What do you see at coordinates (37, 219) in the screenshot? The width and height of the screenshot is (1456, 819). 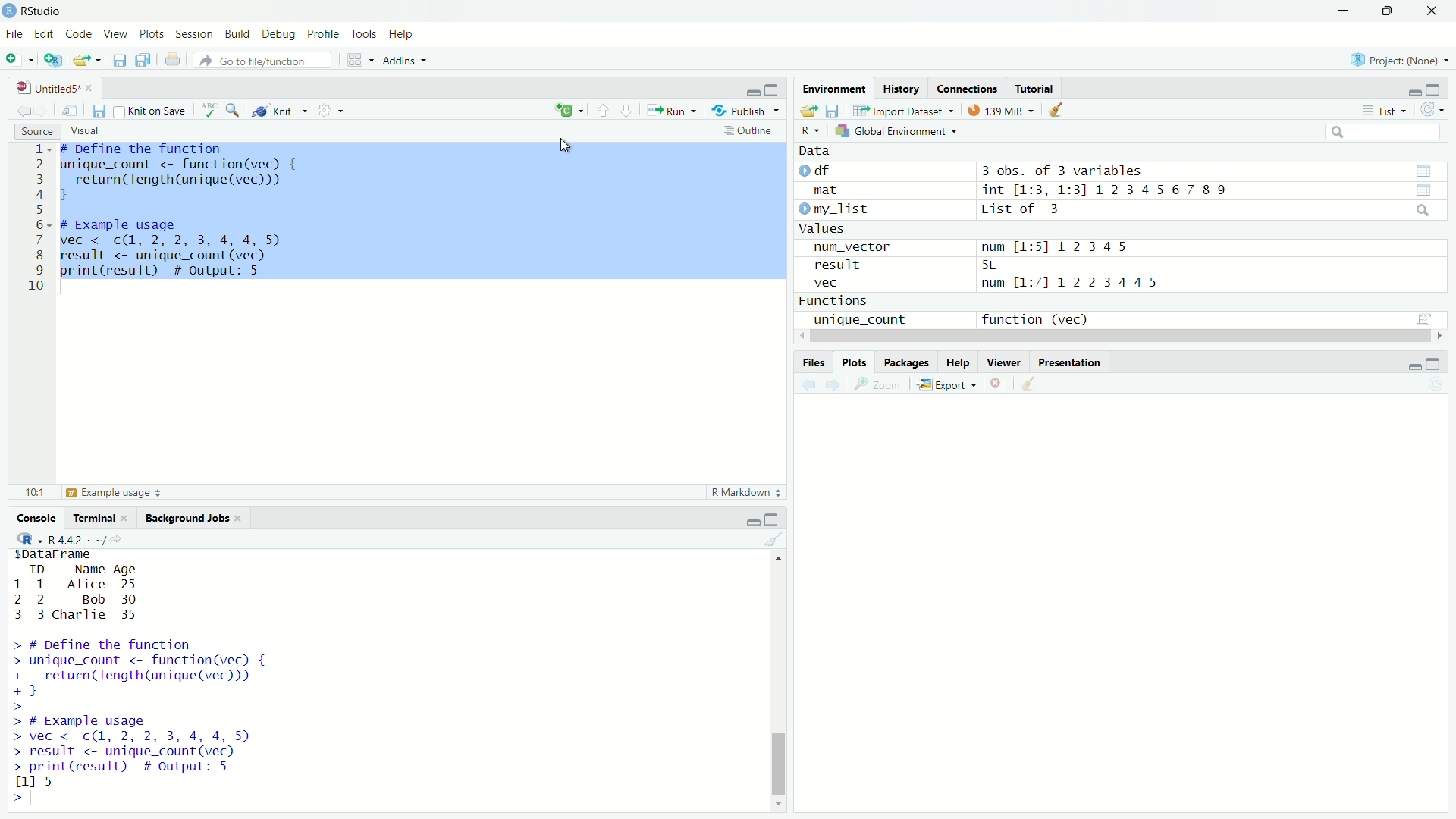 I see `line numbers` at bounding box center [37, 219].